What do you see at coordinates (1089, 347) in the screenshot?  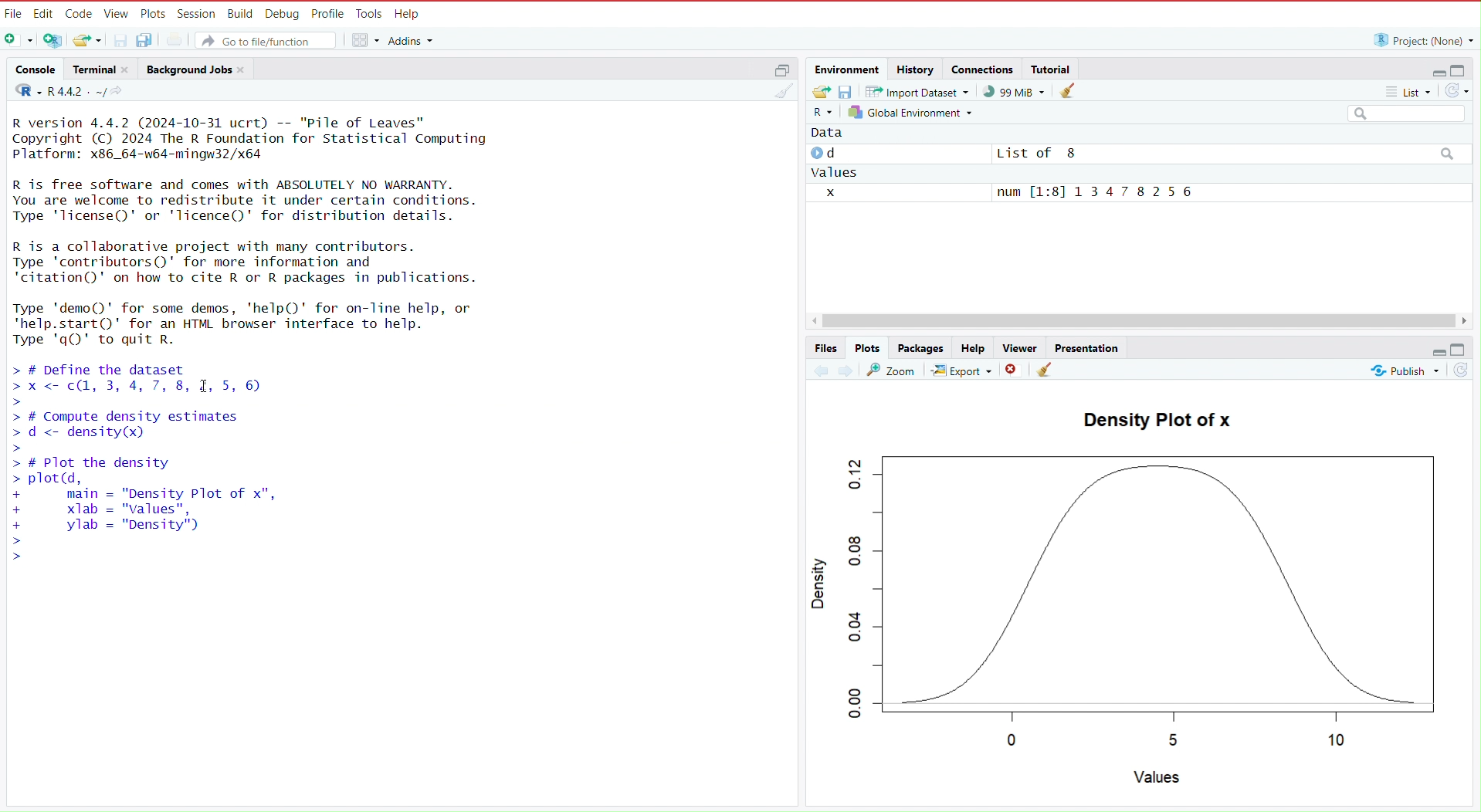 I see `presentation` at bounding box center [1089, 347].